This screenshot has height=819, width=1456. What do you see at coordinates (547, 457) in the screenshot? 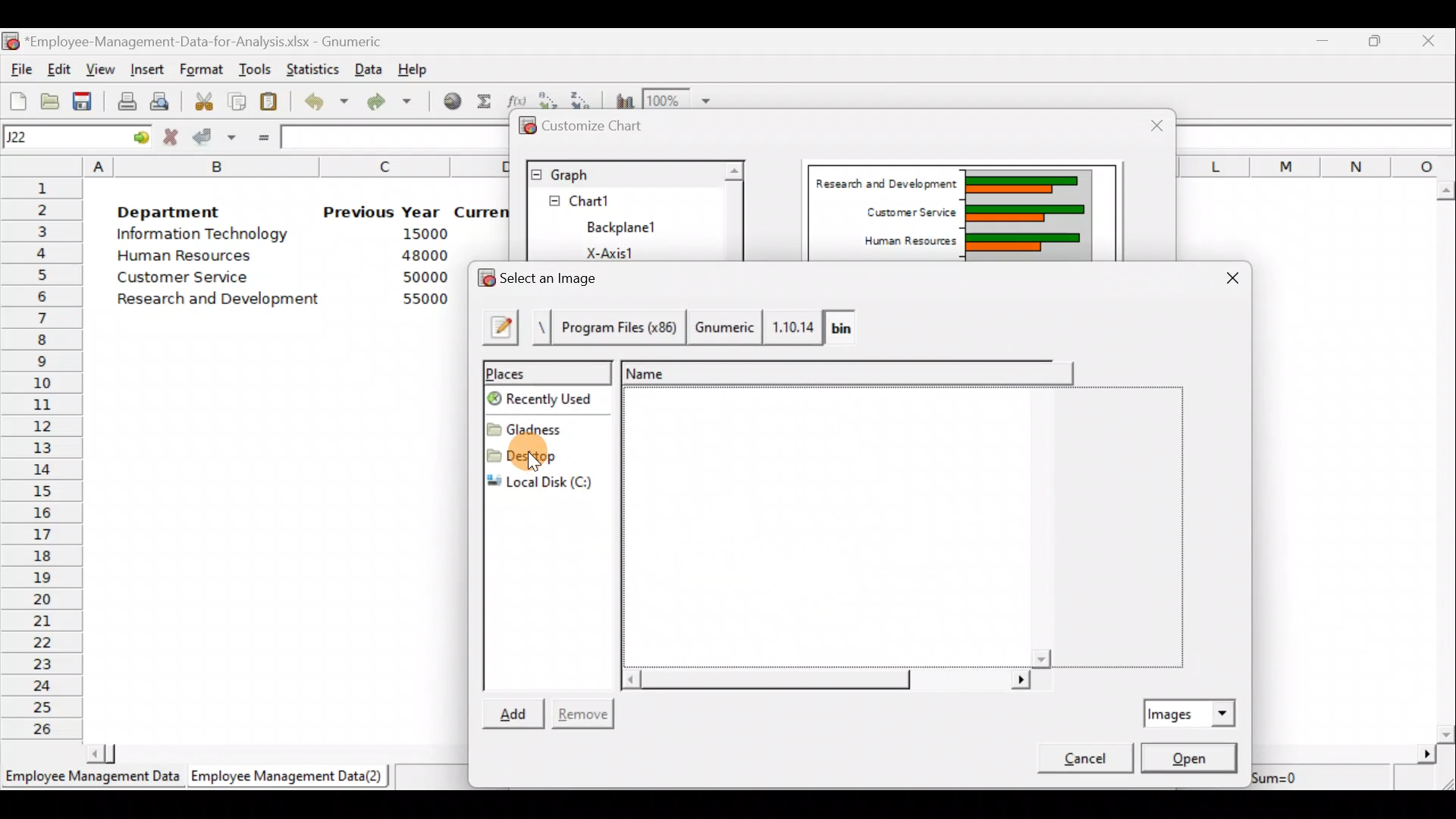
I see `Cursor on desktop` at bounding box center [547, 457].